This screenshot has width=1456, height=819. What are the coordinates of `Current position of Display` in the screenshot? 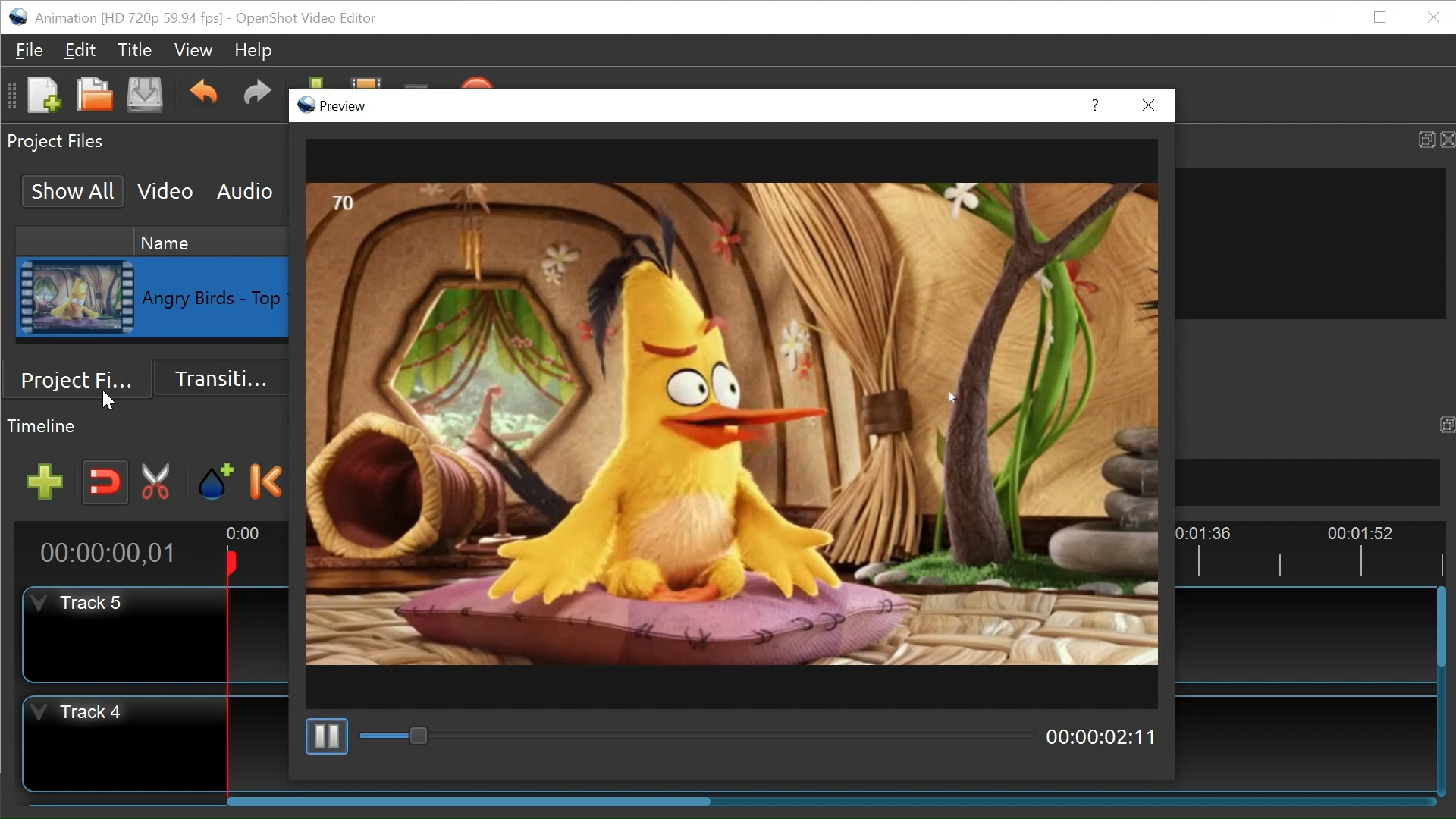 It's located at (1102, 735).